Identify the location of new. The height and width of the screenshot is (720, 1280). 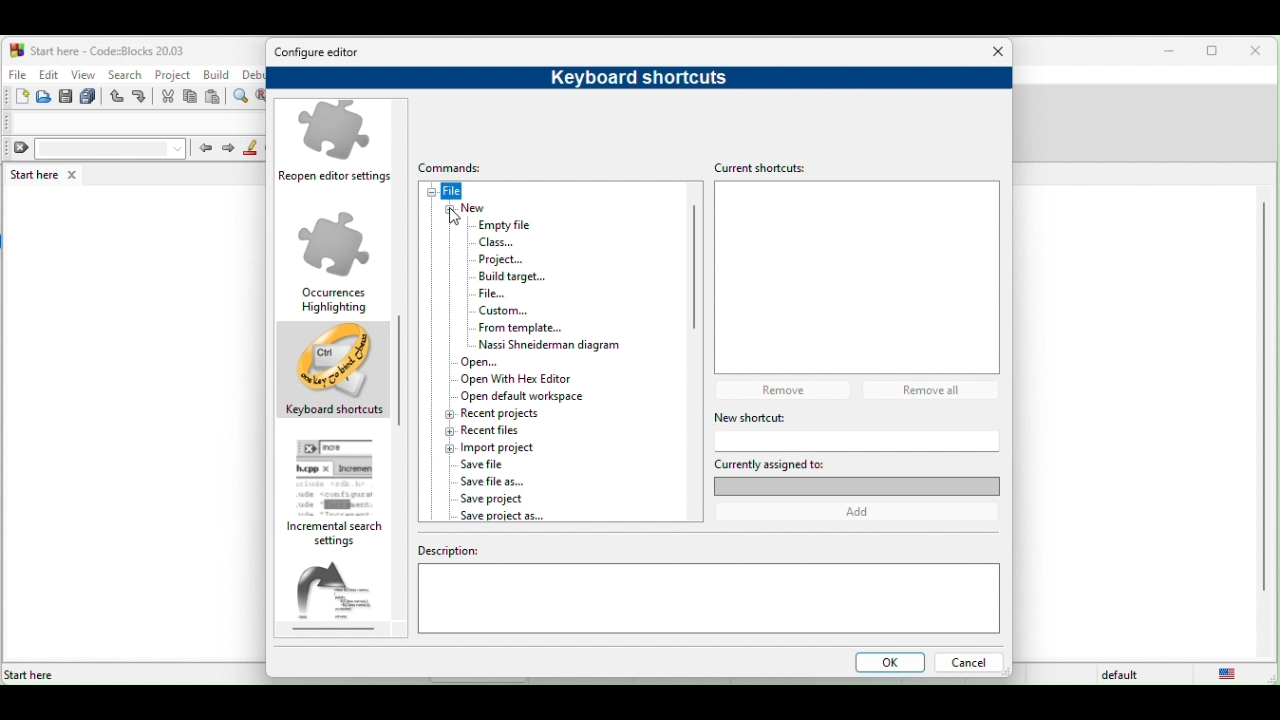
(474, 208).